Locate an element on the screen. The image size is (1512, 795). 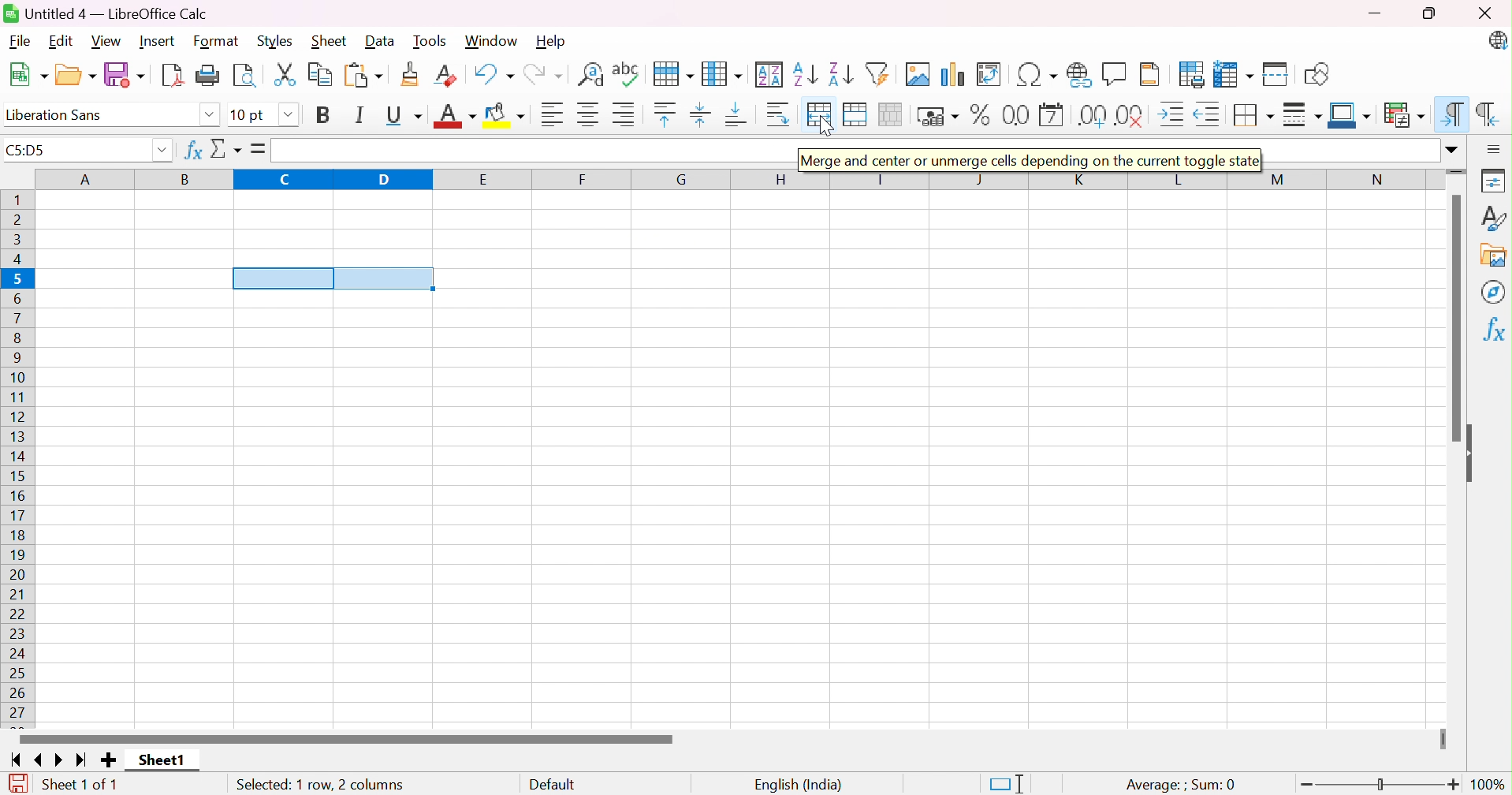
Copy is located at coordinates (321, 75).